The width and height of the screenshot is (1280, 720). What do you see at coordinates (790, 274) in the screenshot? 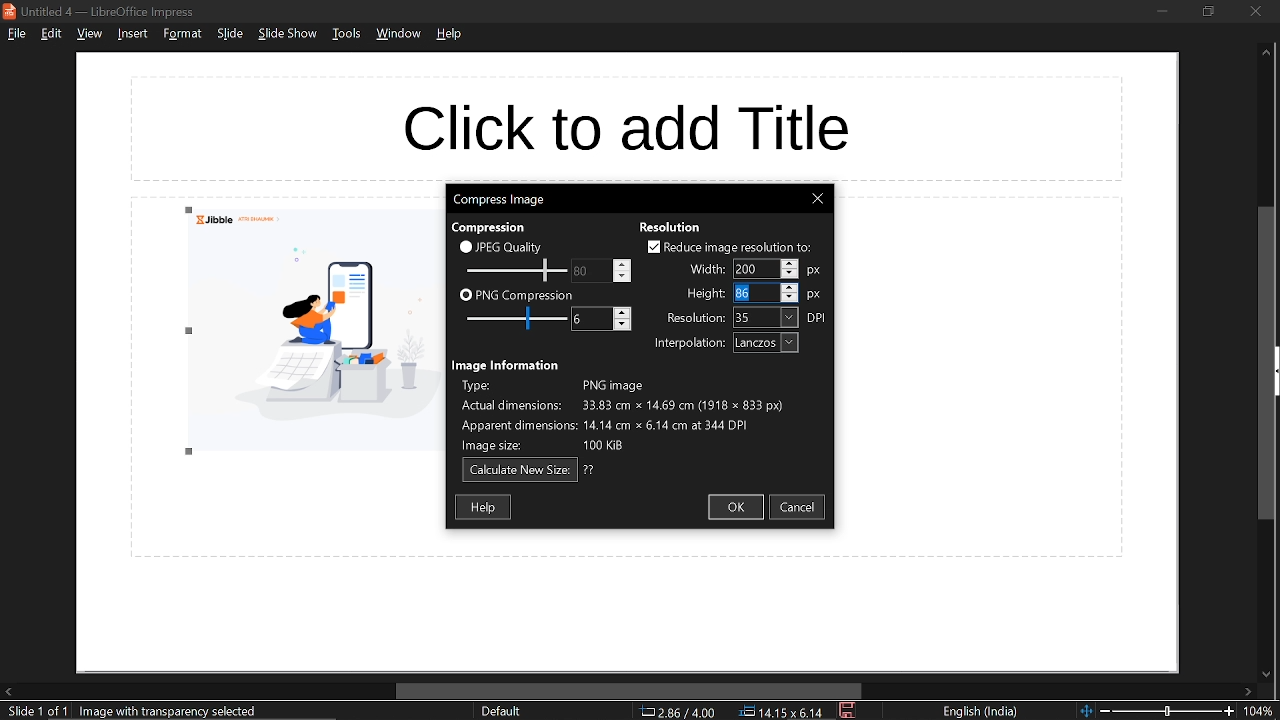
I see `decrease width` at bounding box center [790, 274].